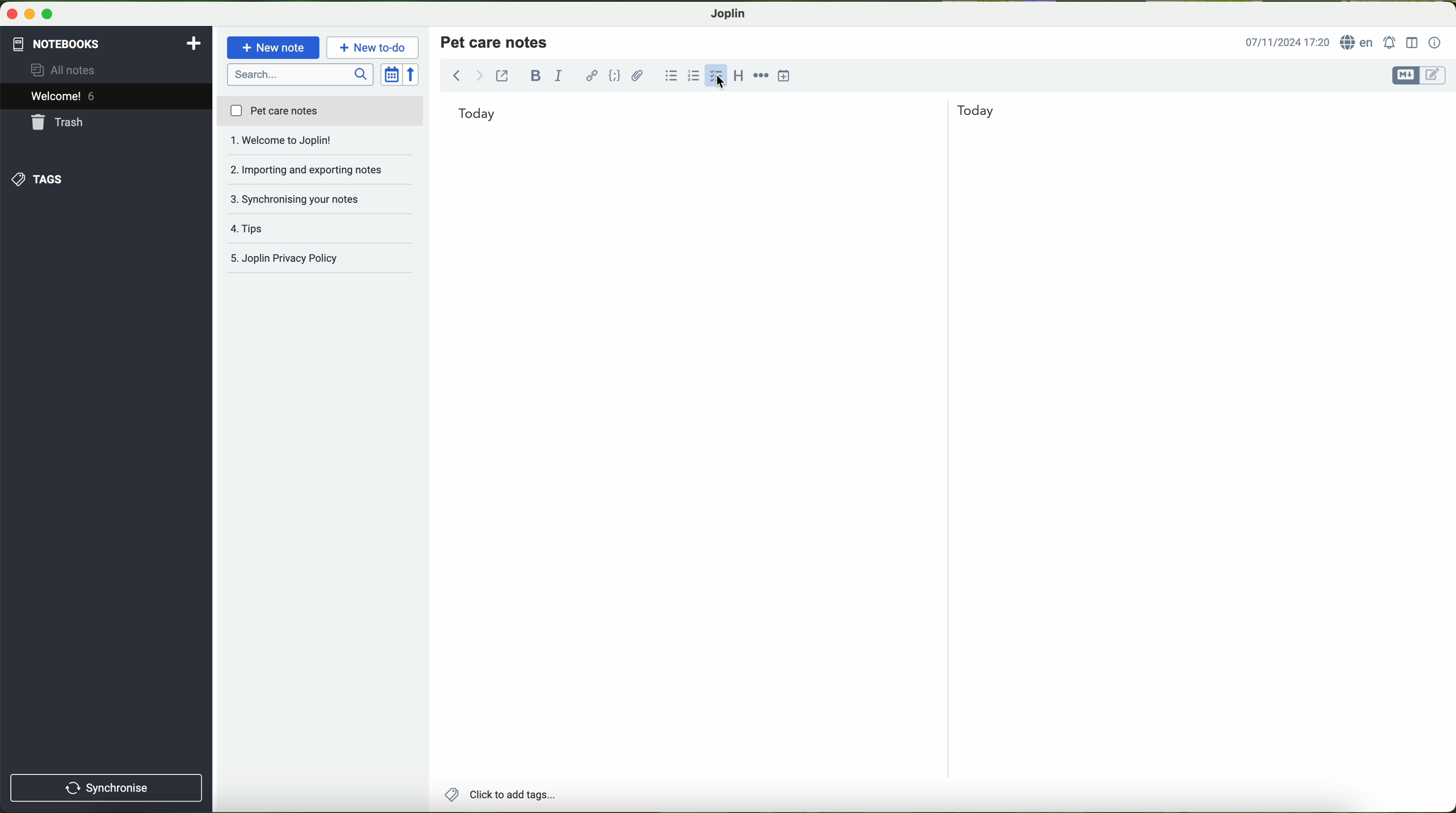  Describe the element at coordinates (66, 71) in the screenshot. I see `all notes` at that location.